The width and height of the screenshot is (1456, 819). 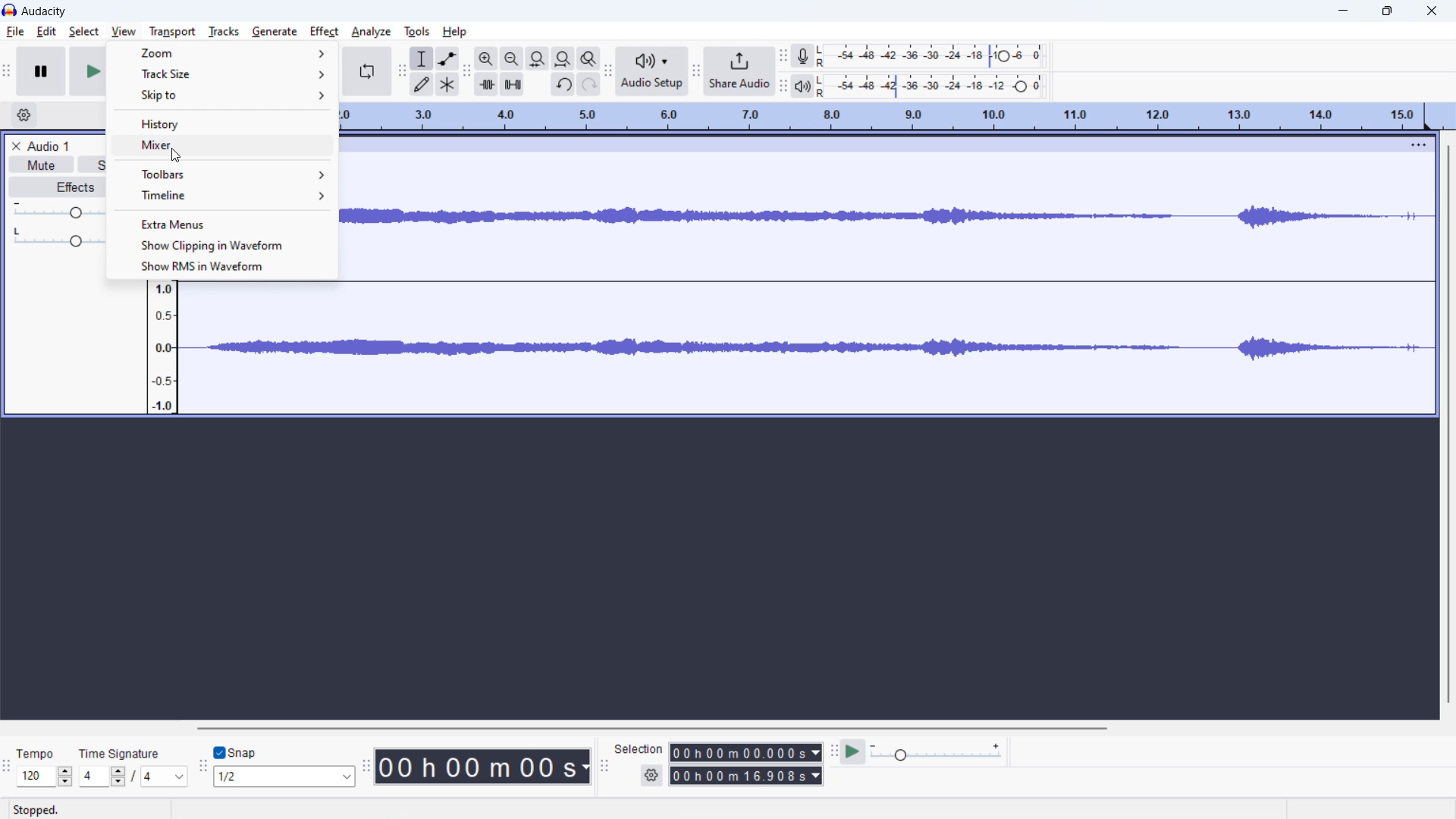 I want to click on envelop tool, so click(x=447, y=58).